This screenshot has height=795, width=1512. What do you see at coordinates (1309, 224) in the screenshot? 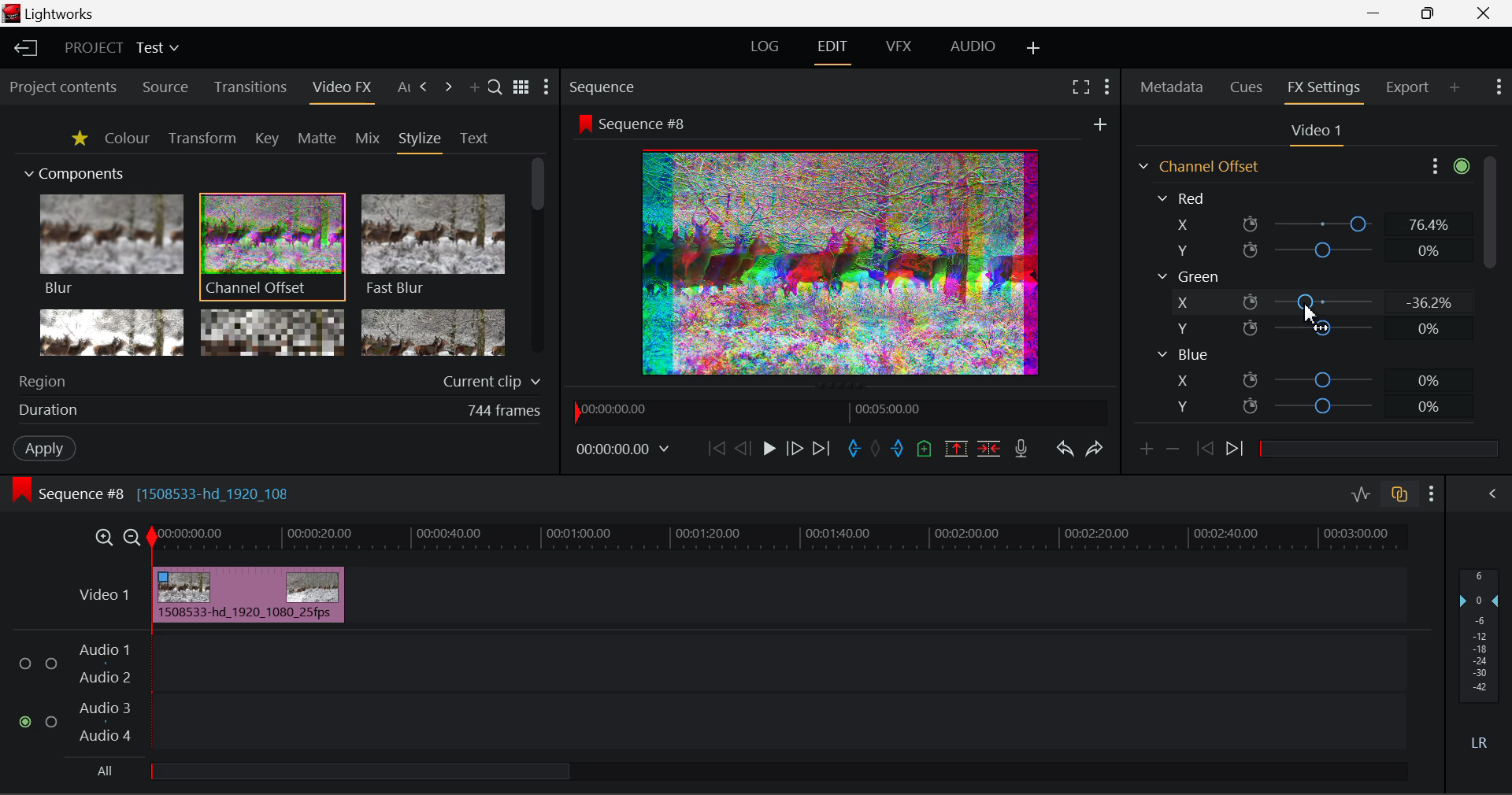
I see `Red X` at bounding box center [1309, 224].